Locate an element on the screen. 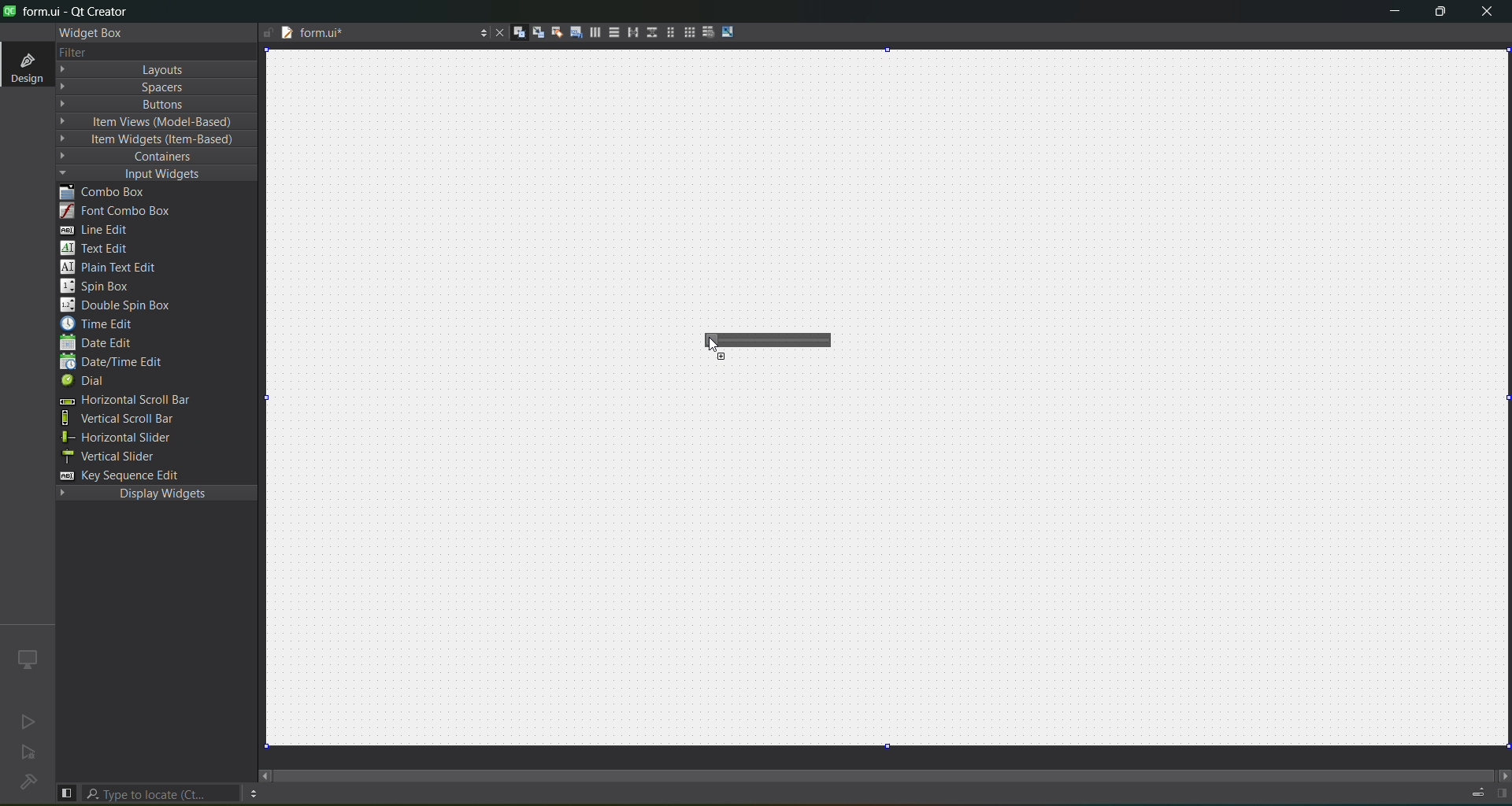 The image size is (1512, 806). vertical slider is located at coordinates (112, 457).